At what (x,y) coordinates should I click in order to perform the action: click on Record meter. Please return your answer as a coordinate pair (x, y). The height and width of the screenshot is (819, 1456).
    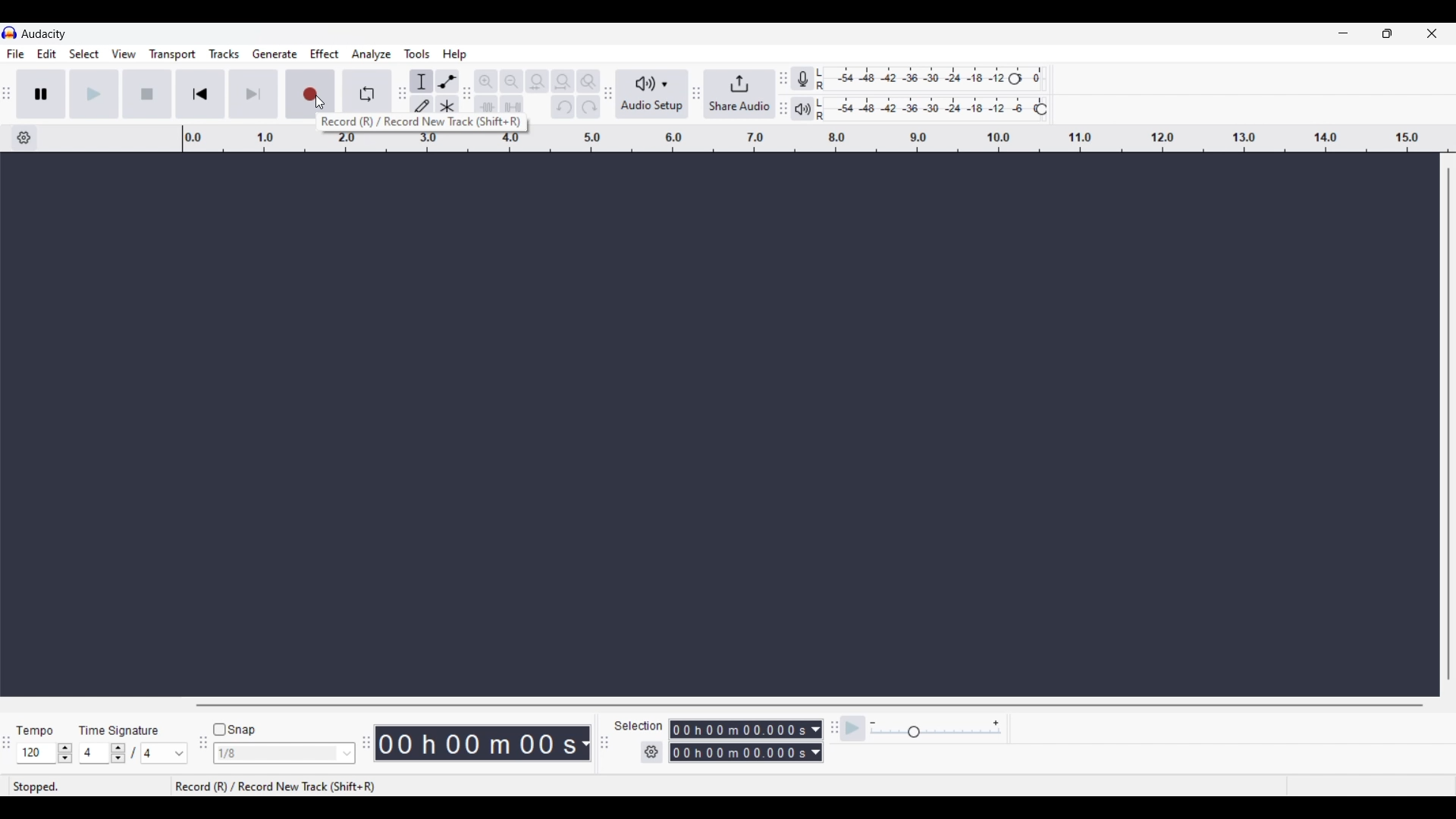
    Looking at the image, I should click on (802, 79).